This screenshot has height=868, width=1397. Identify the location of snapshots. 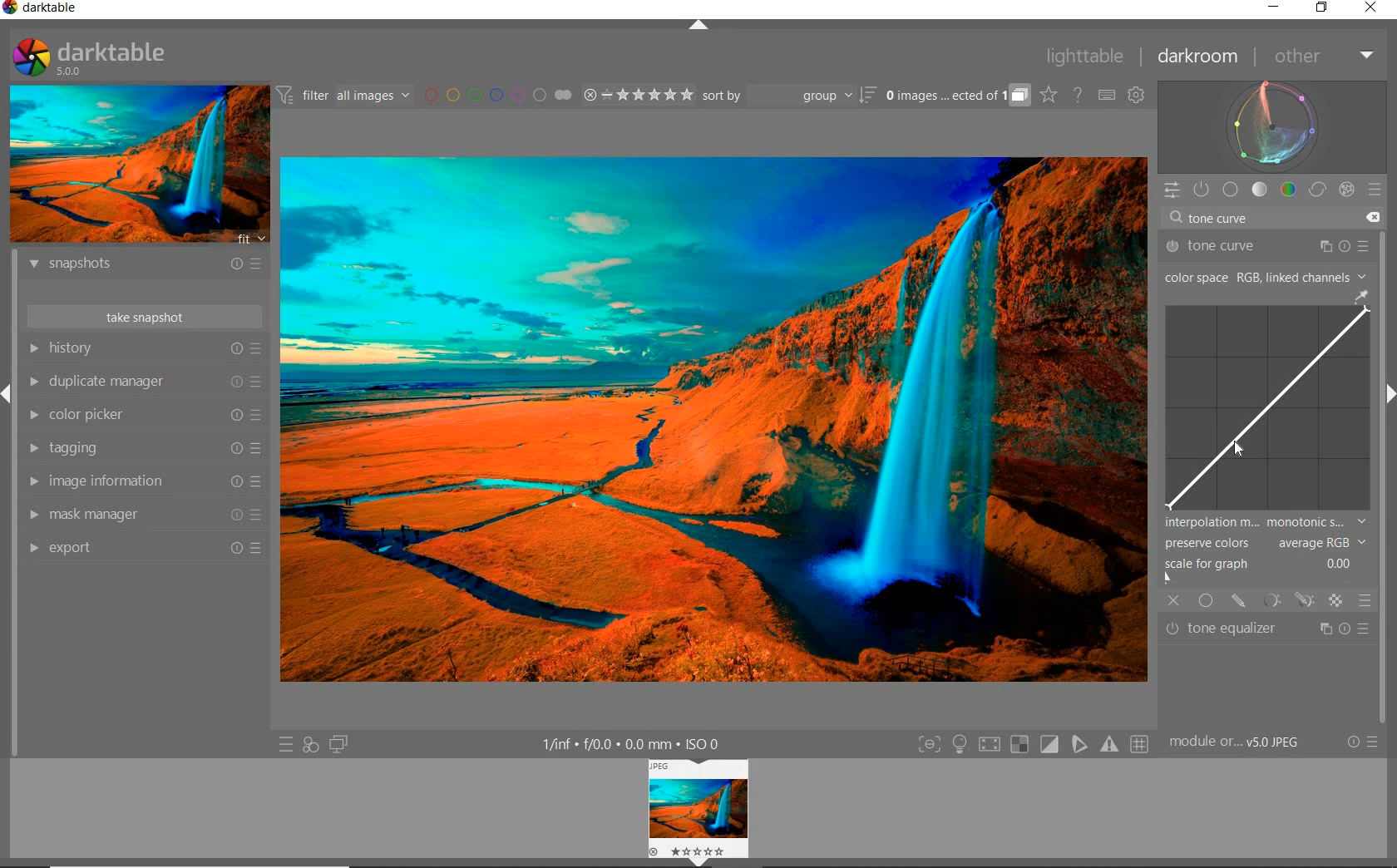
(149, 266).